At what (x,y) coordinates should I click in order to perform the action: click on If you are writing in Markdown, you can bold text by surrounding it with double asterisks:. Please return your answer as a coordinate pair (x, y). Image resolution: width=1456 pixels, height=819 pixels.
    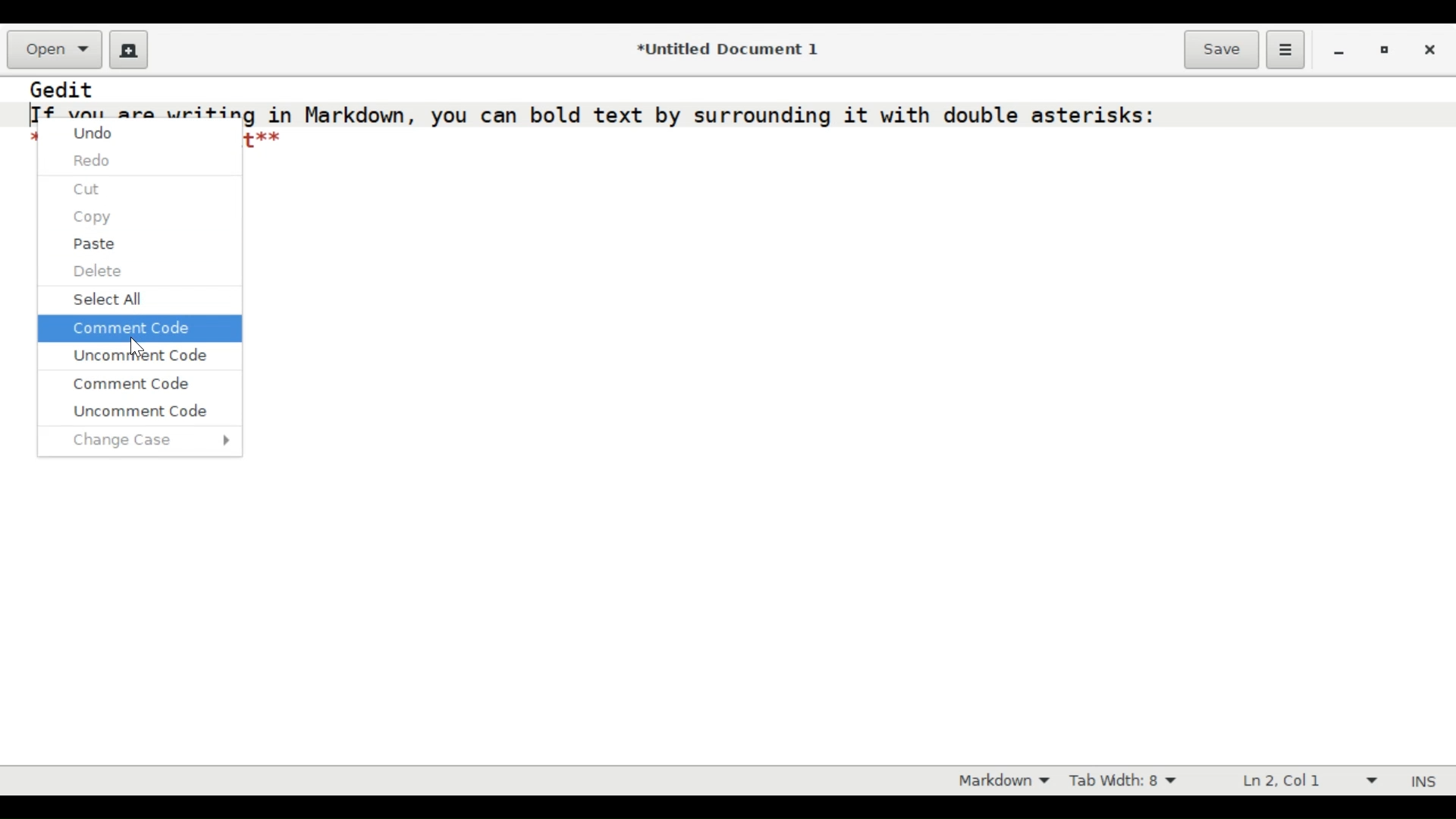
    Looking at the image, I should click on (593, 114).